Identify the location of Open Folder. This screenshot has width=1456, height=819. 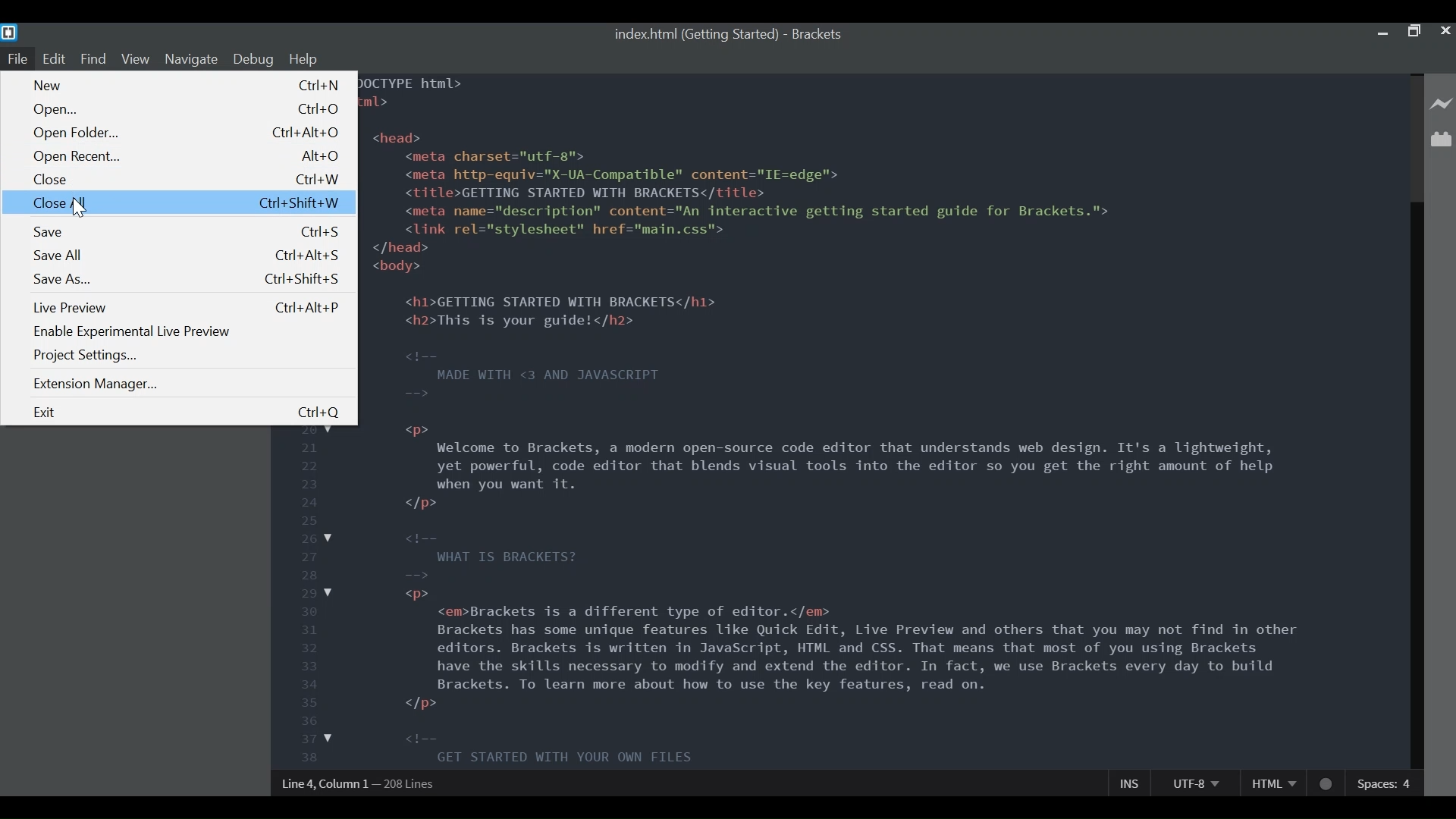
(186, 133).